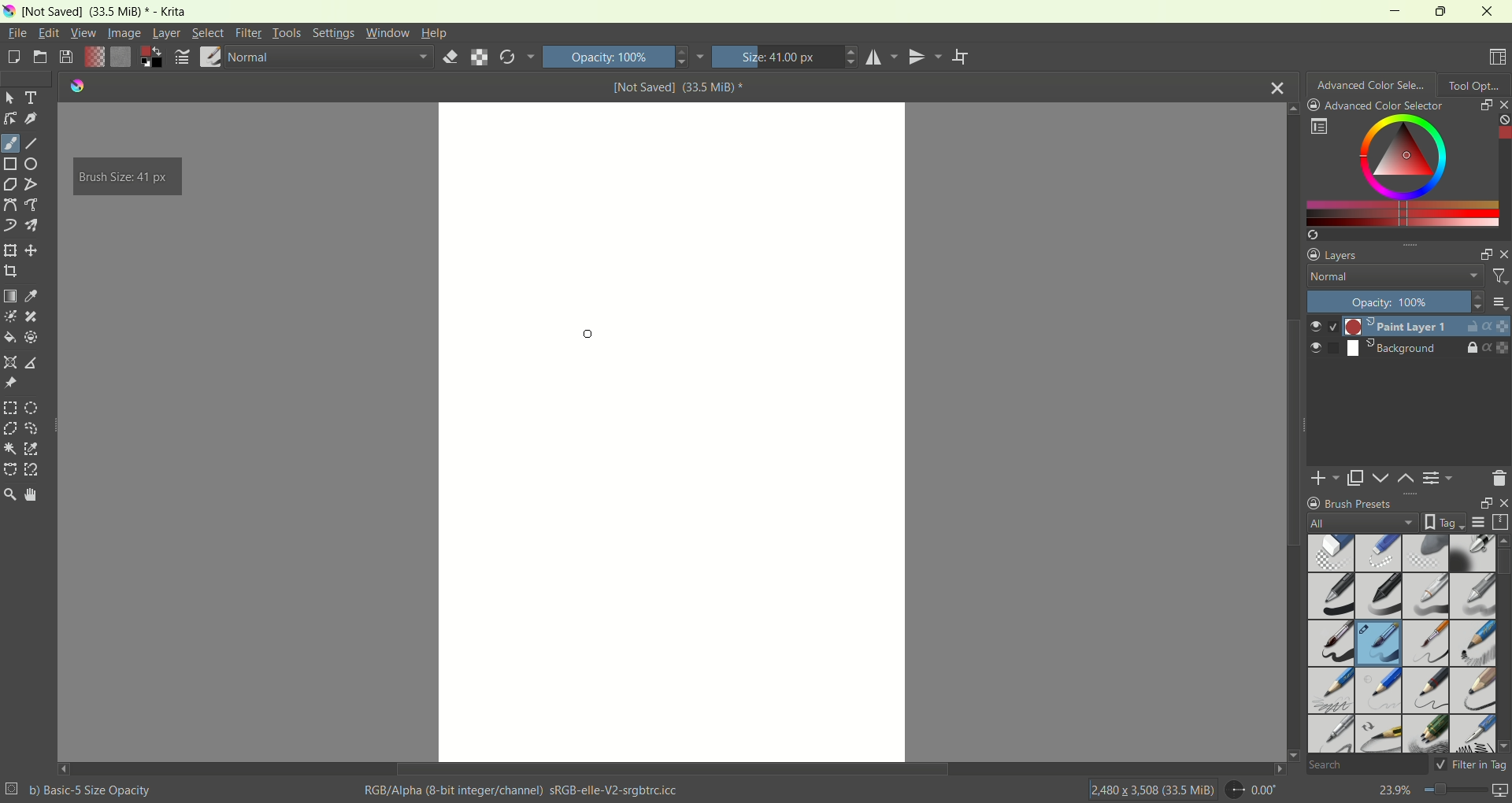  What do you see at coordinates (1499, 302) in the screenshot?
I see `options` at bounding box center [1499, 302].